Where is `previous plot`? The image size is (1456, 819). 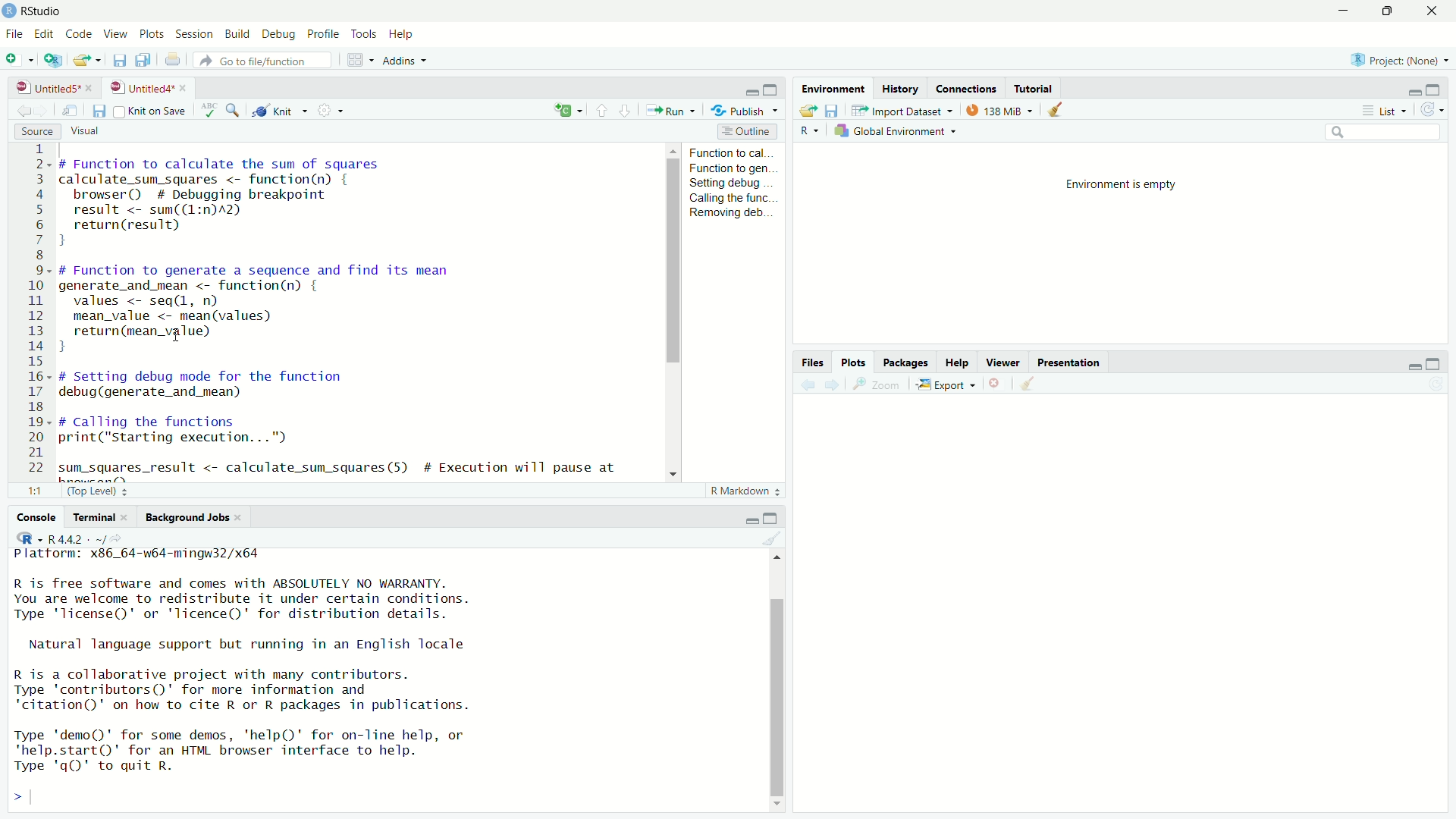
previous plot is located at coordinates (805, 384).